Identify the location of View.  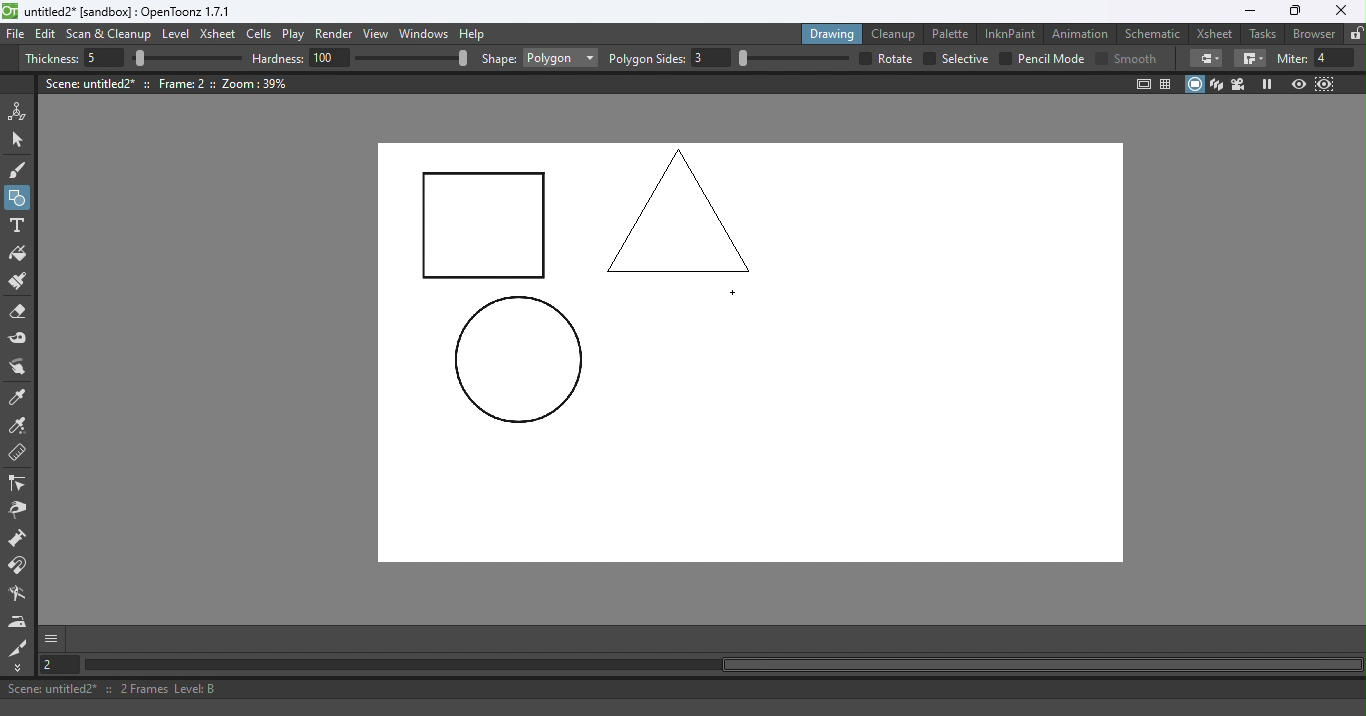
(379, 36).